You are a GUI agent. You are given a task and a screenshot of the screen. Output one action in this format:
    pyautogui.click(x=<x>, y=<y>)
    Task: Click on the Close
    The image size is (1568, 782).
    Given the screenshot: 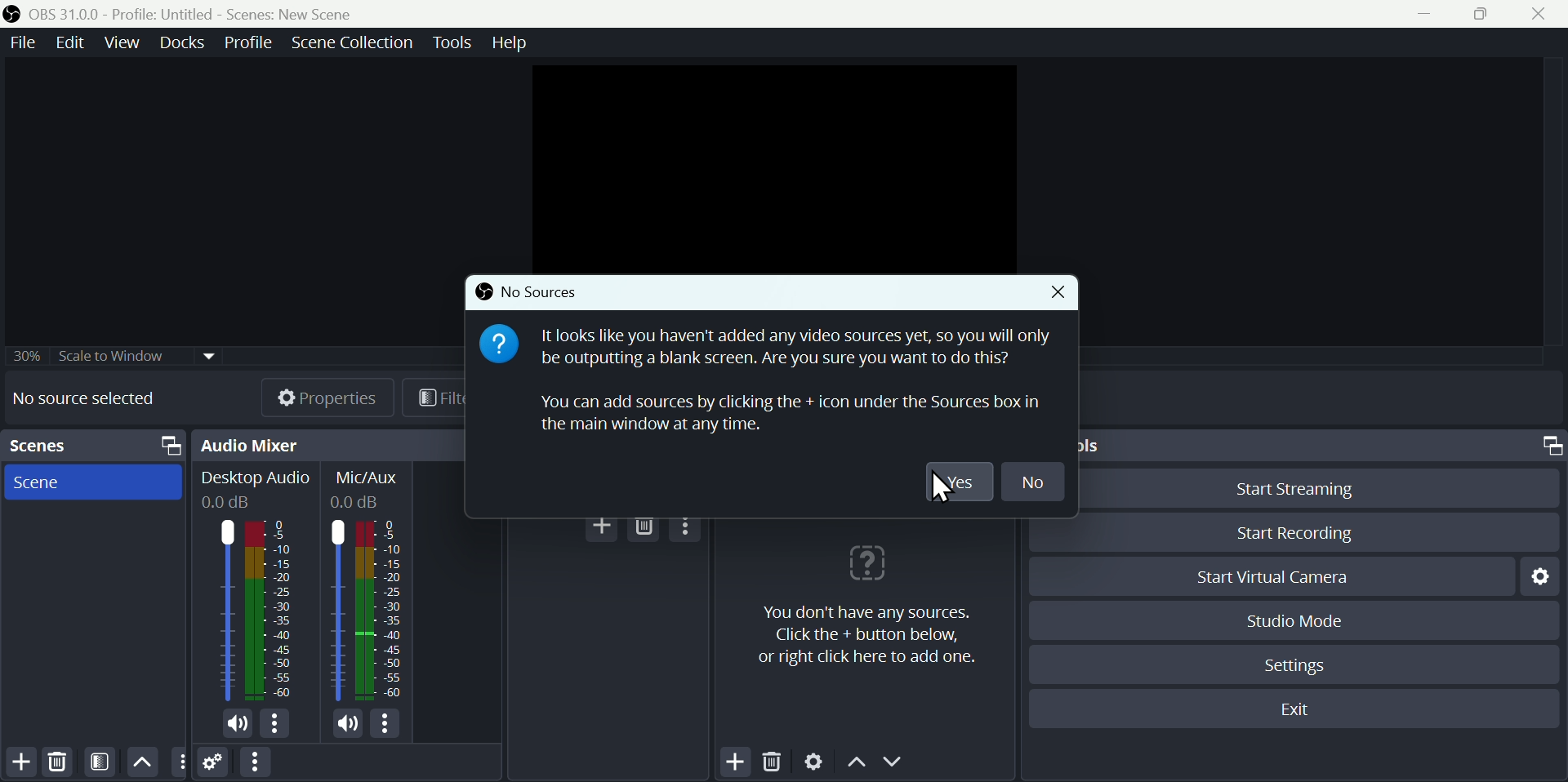 What is the action you would take?
    pyautogui.click(x=1543, y=15)
    